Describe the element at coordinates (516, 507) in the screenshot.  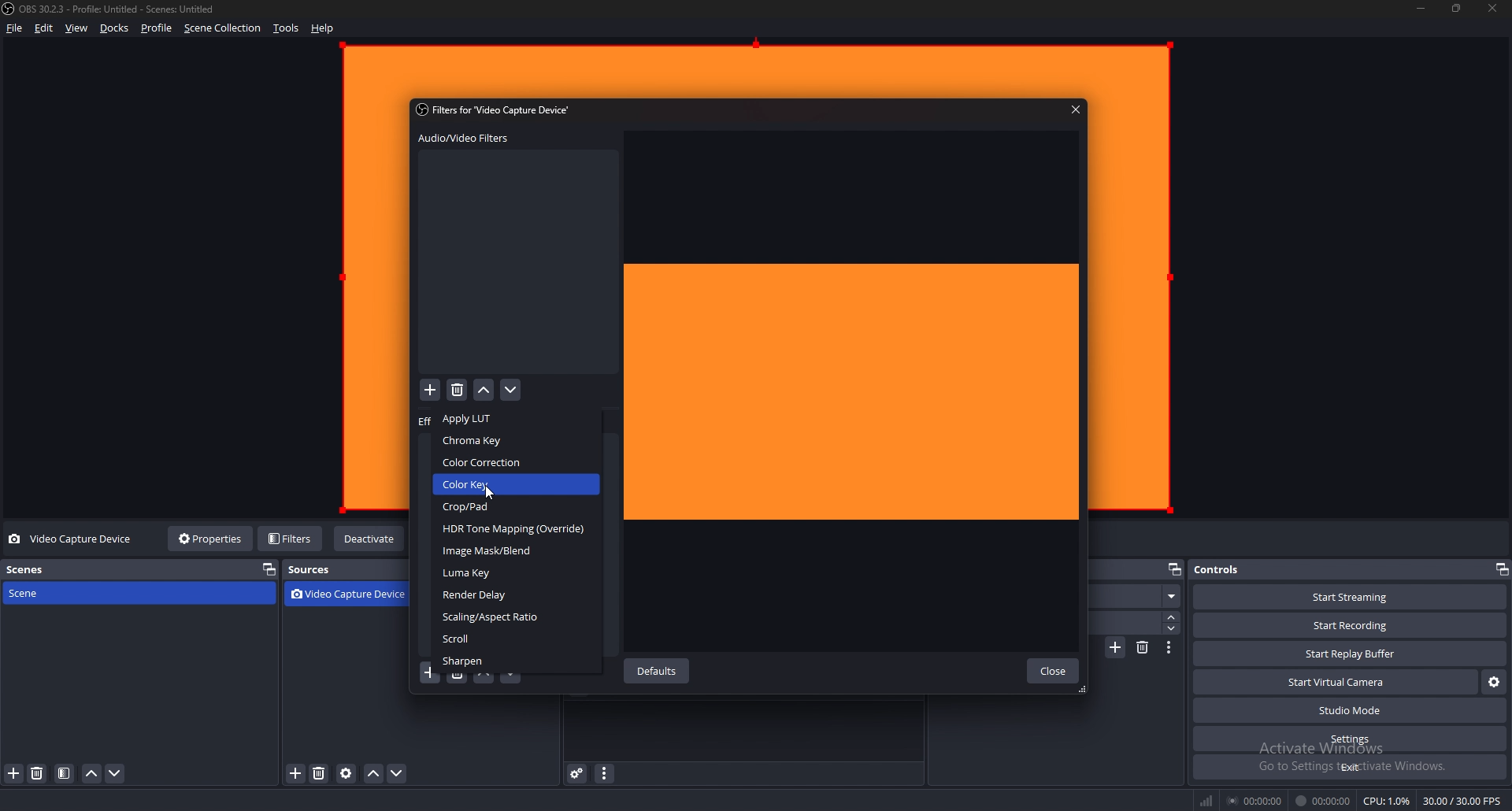
I see `crop/pad` at that location.